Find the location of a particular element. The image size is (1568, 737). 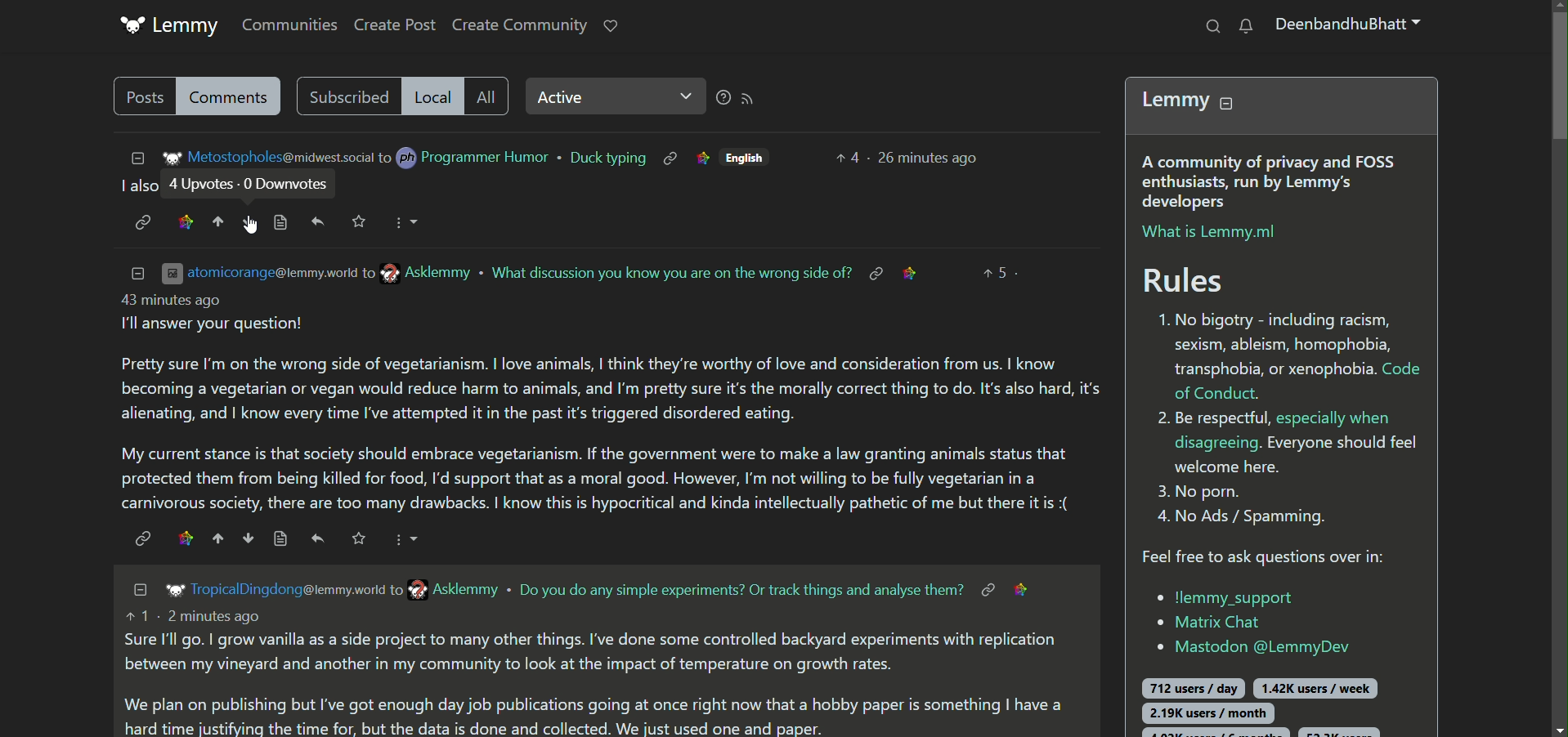

text is located at coordinates (134, 187).